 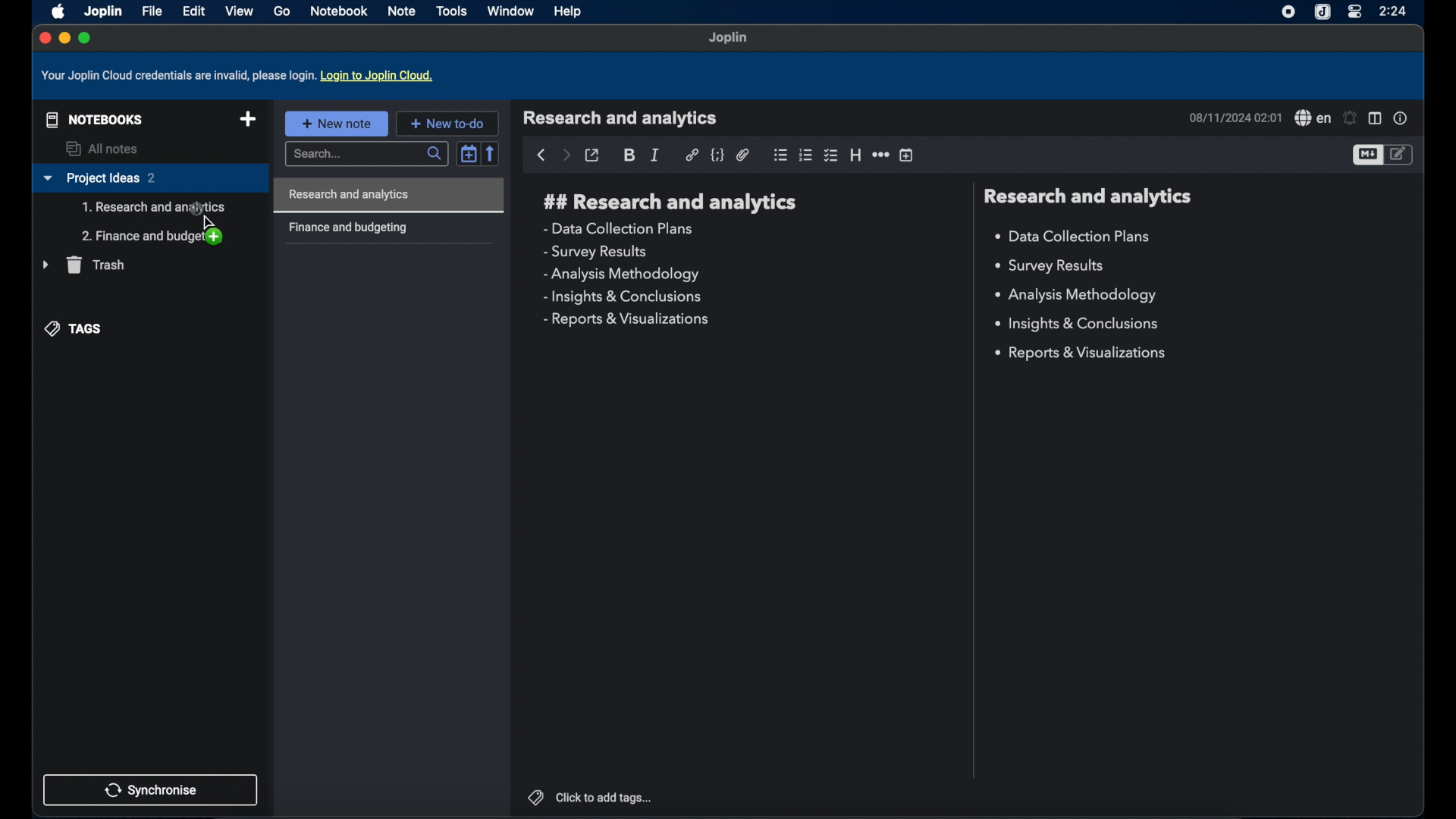 What do you see at coordinates (718, 155) in the screenshot?
I see `code` at bounding box center [718, 155].